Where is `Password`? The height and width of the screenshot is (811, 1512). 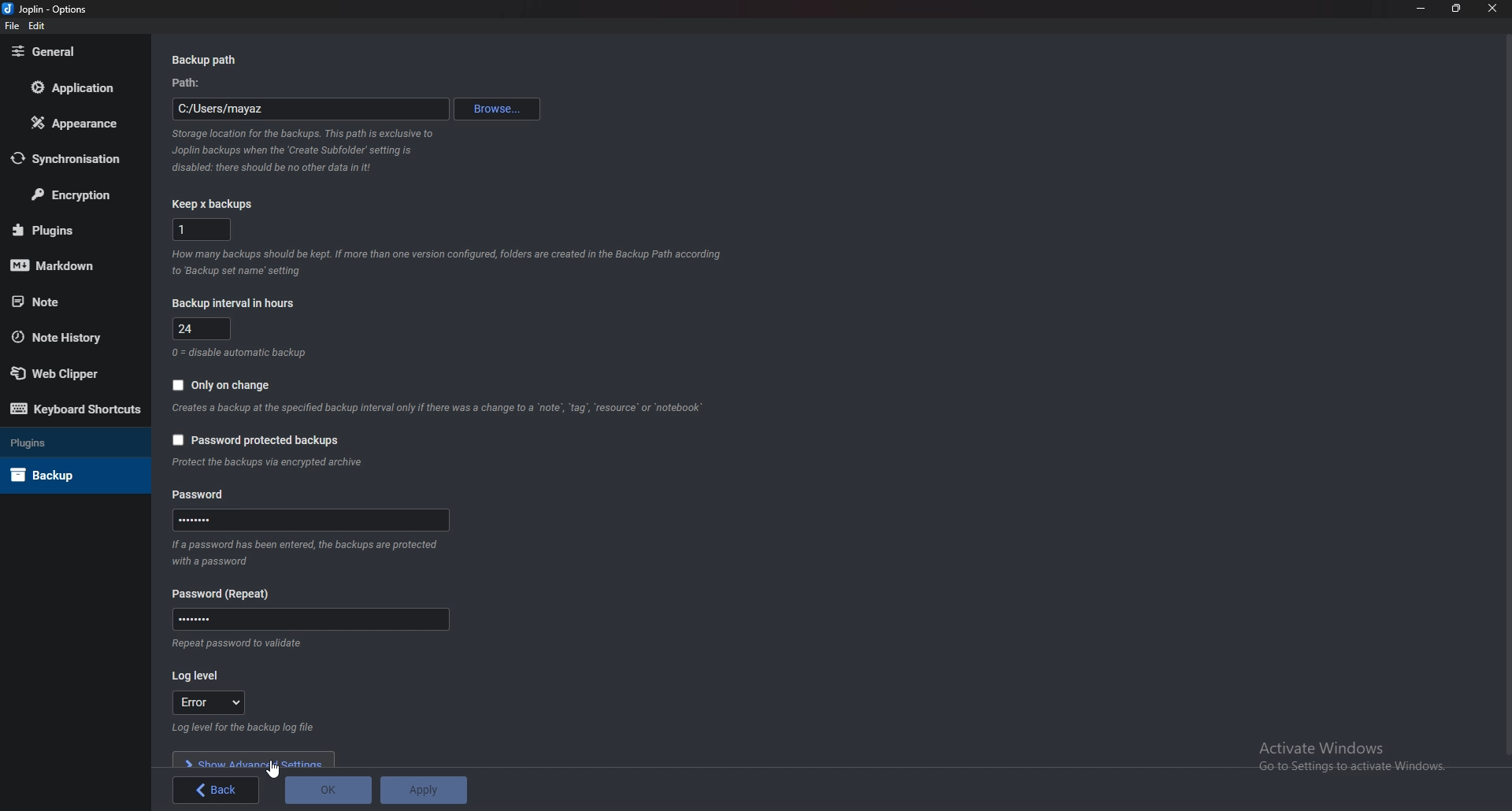
Password is located at coordinates (312, 521).